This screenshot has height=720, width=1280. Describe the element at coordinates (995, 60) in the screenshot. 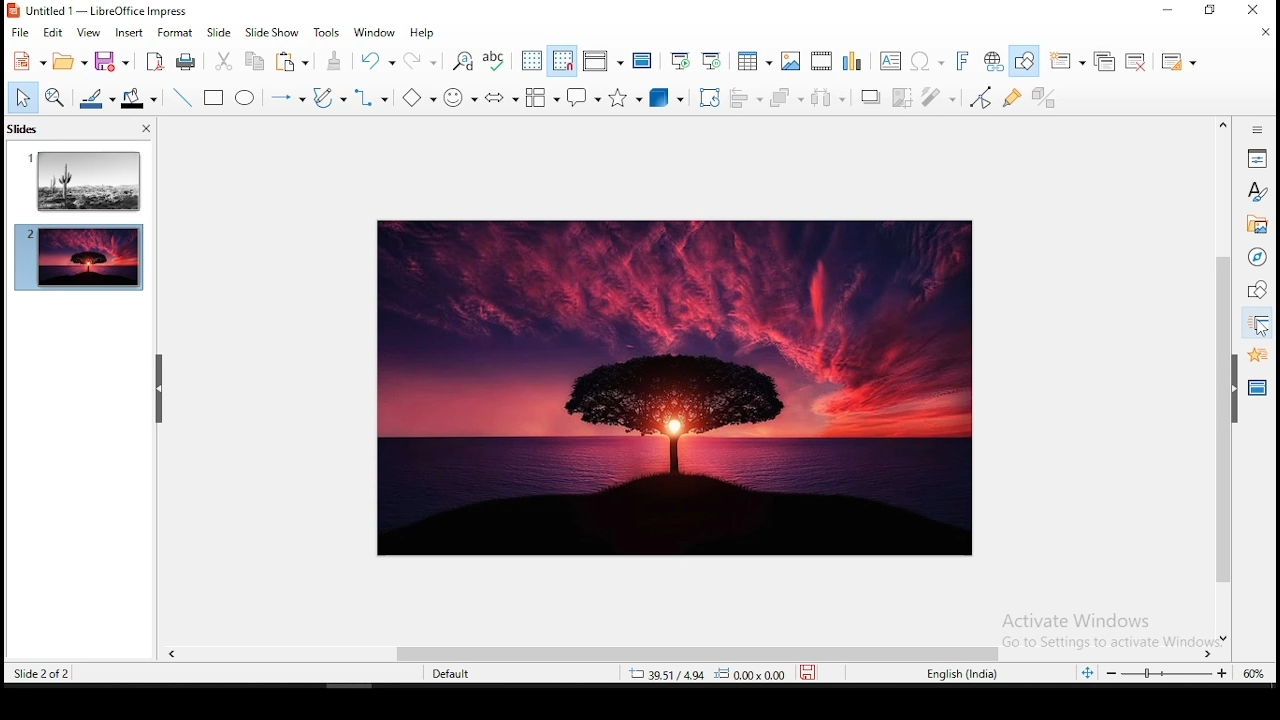

I see `hyperlink` at that location.